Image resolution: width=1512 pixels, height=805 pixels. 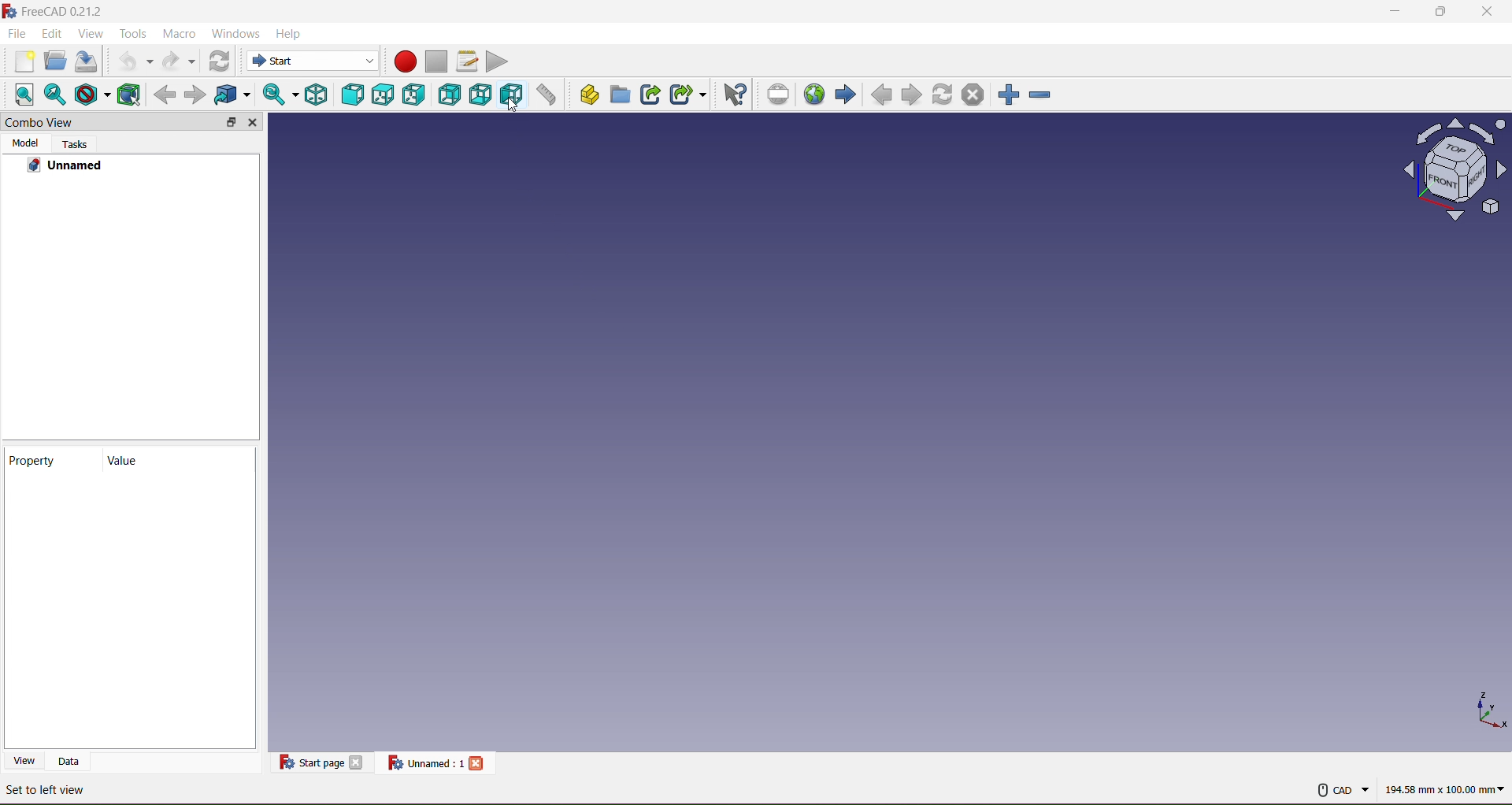 I want to click on Forward Navigation, so click(x=845, y=95).